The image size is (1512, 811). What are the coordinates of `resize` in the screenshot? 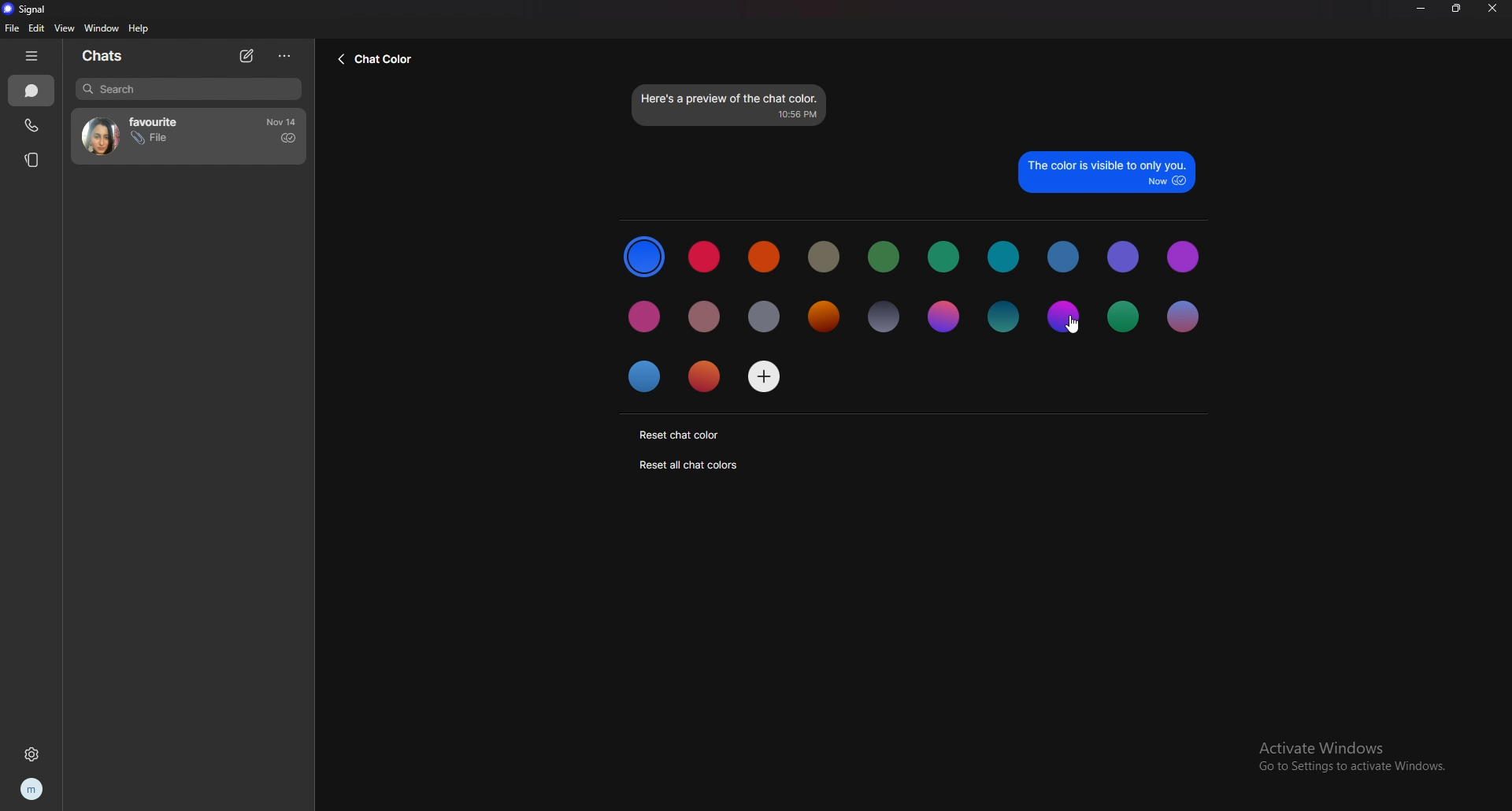 It's located at (1458, 8).